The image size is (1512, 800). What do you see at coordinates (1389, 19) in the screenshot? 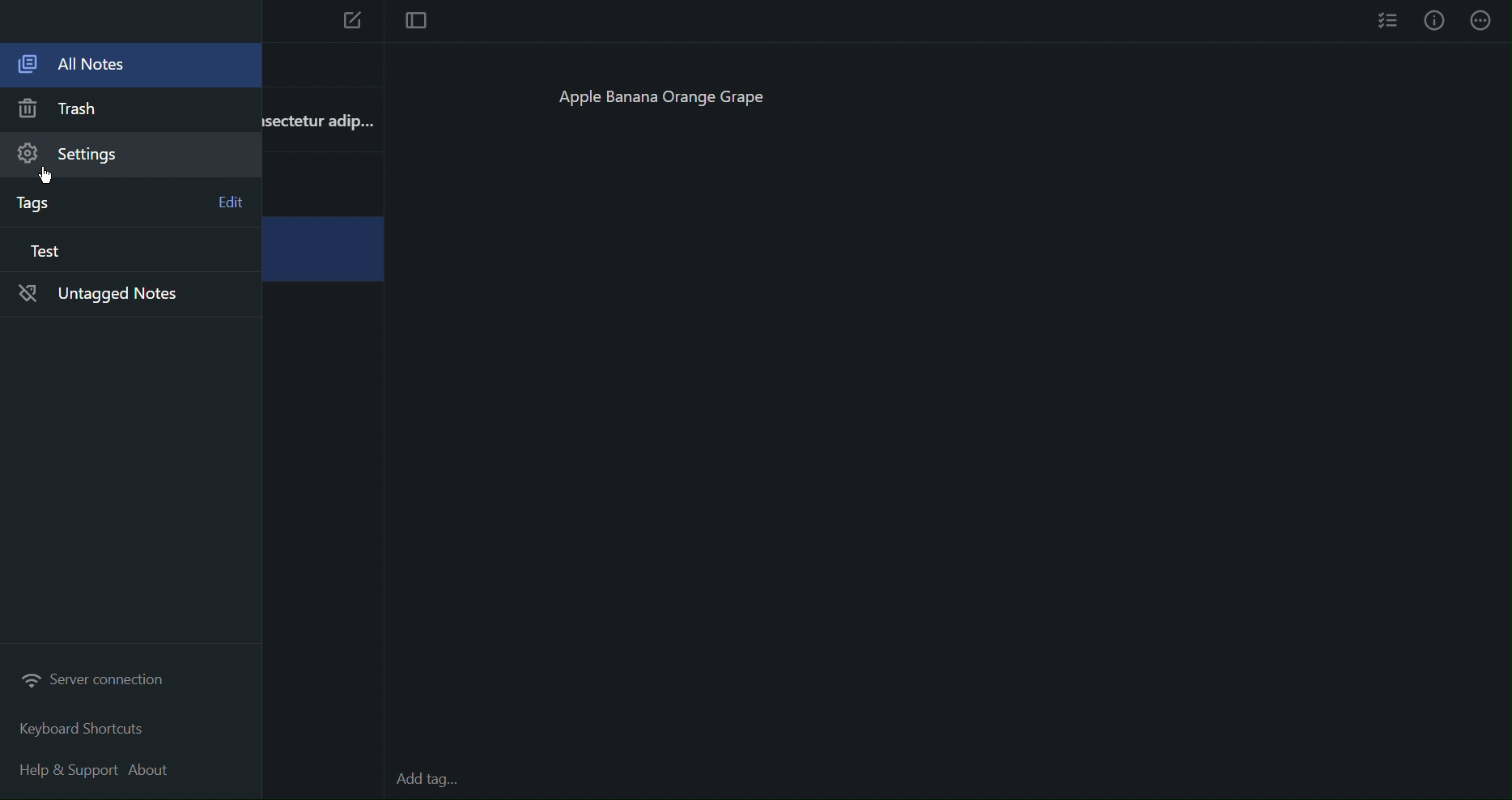
I see `Checklist` at bounding box center [1389, 19].